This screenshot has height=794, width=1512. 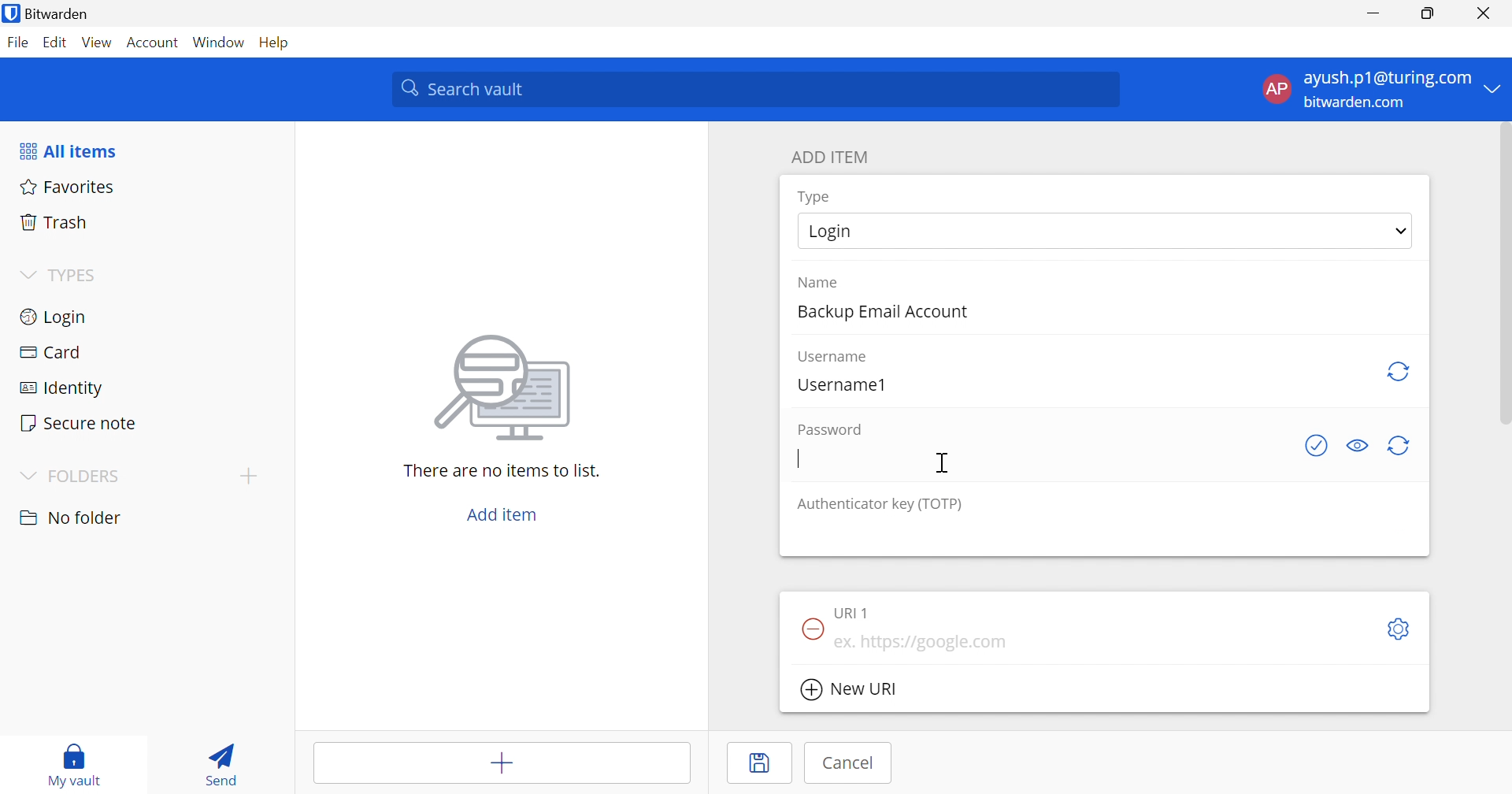 I want to click on New URl, so click(x=849, y=690).